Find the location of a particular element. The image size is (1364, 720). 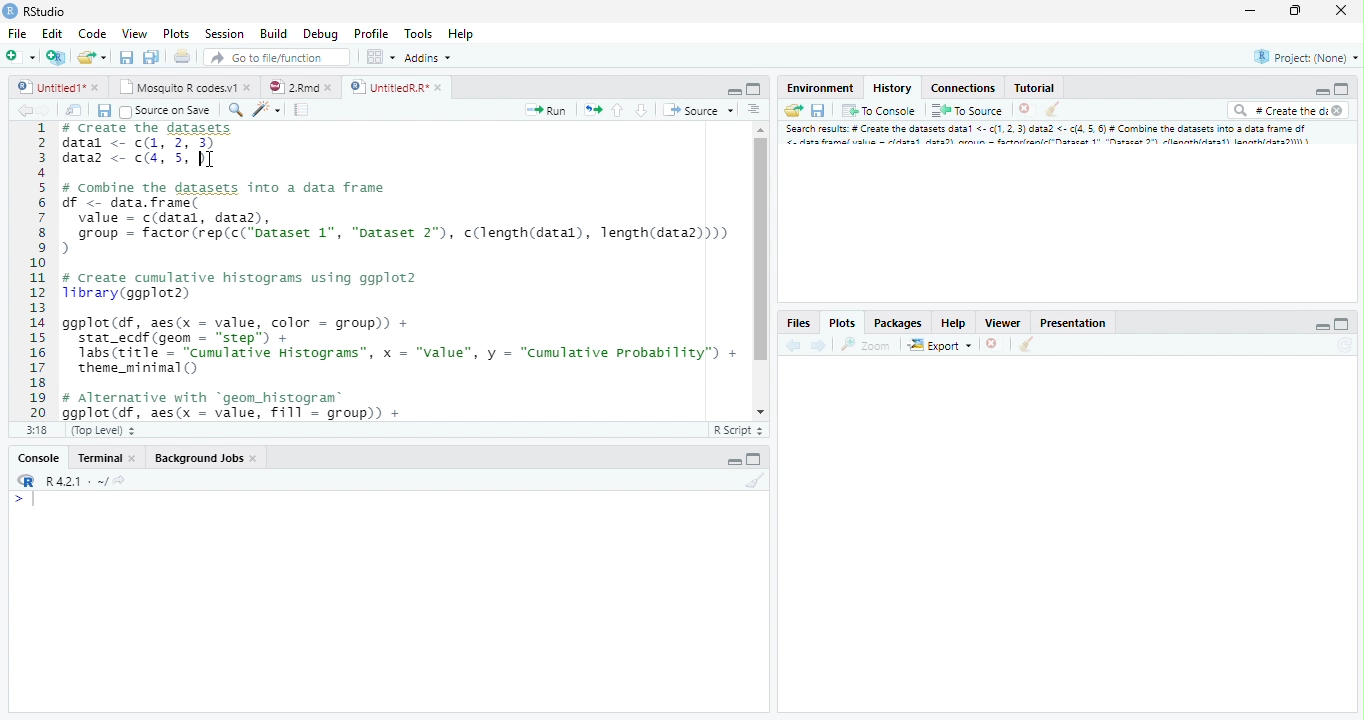

Create a project is located at coordinates (56, 55).